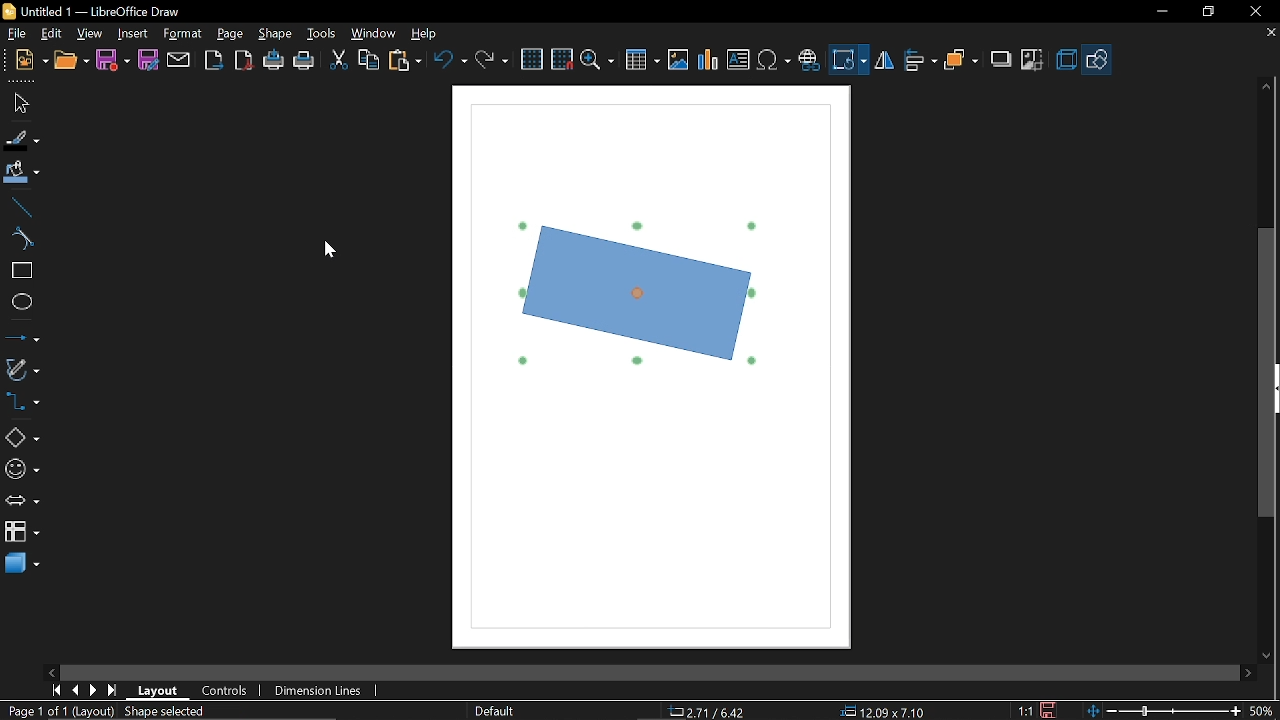 This screenshot has height=720, width=1280. Describe the element at coordinates (53, 32) in the screenshot. I see `Edit` at that location.